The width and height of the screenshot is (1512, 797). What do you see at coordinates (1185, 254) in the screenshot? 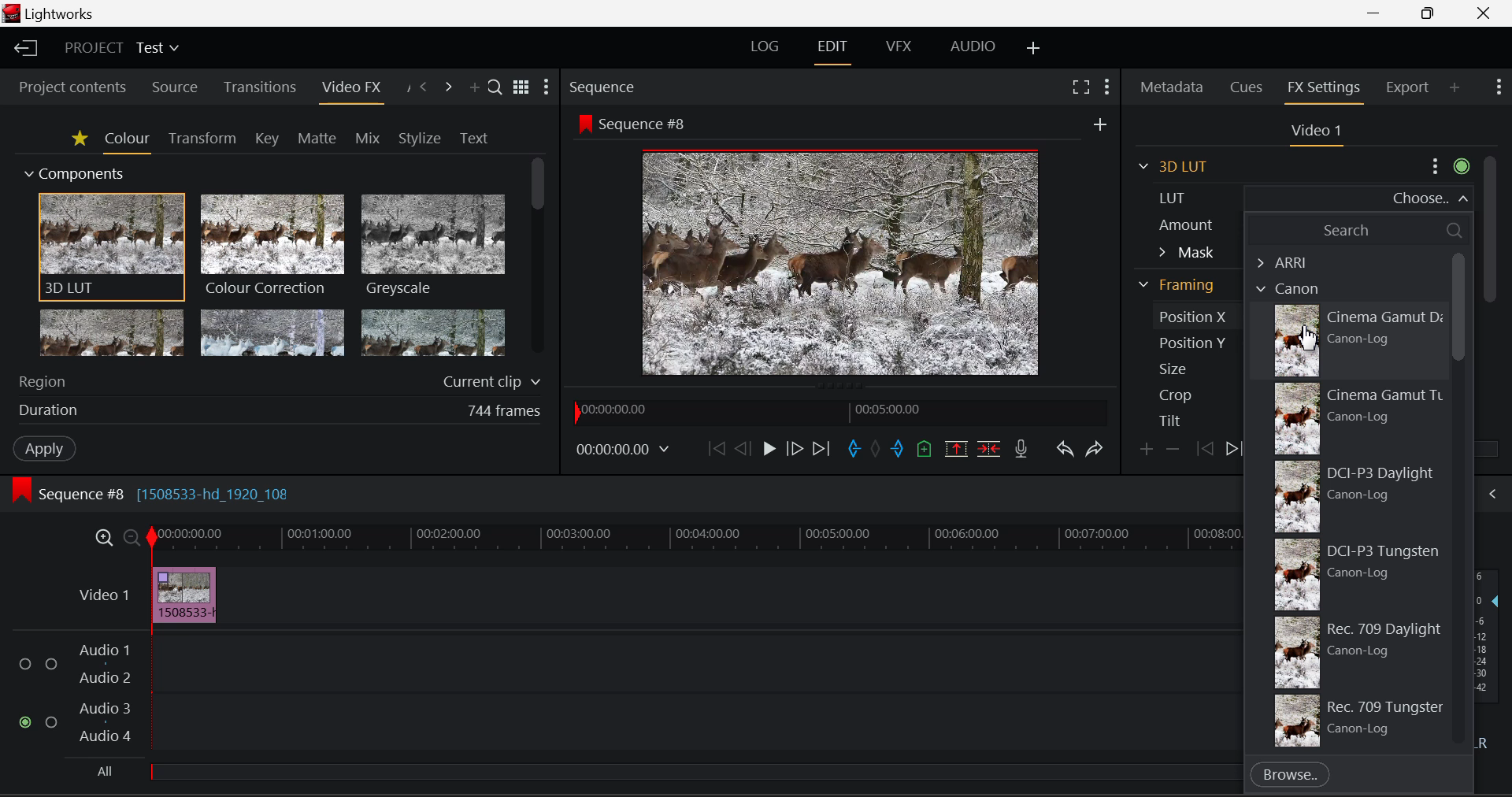
I see `Mask` at bounding box center [1185, 254].